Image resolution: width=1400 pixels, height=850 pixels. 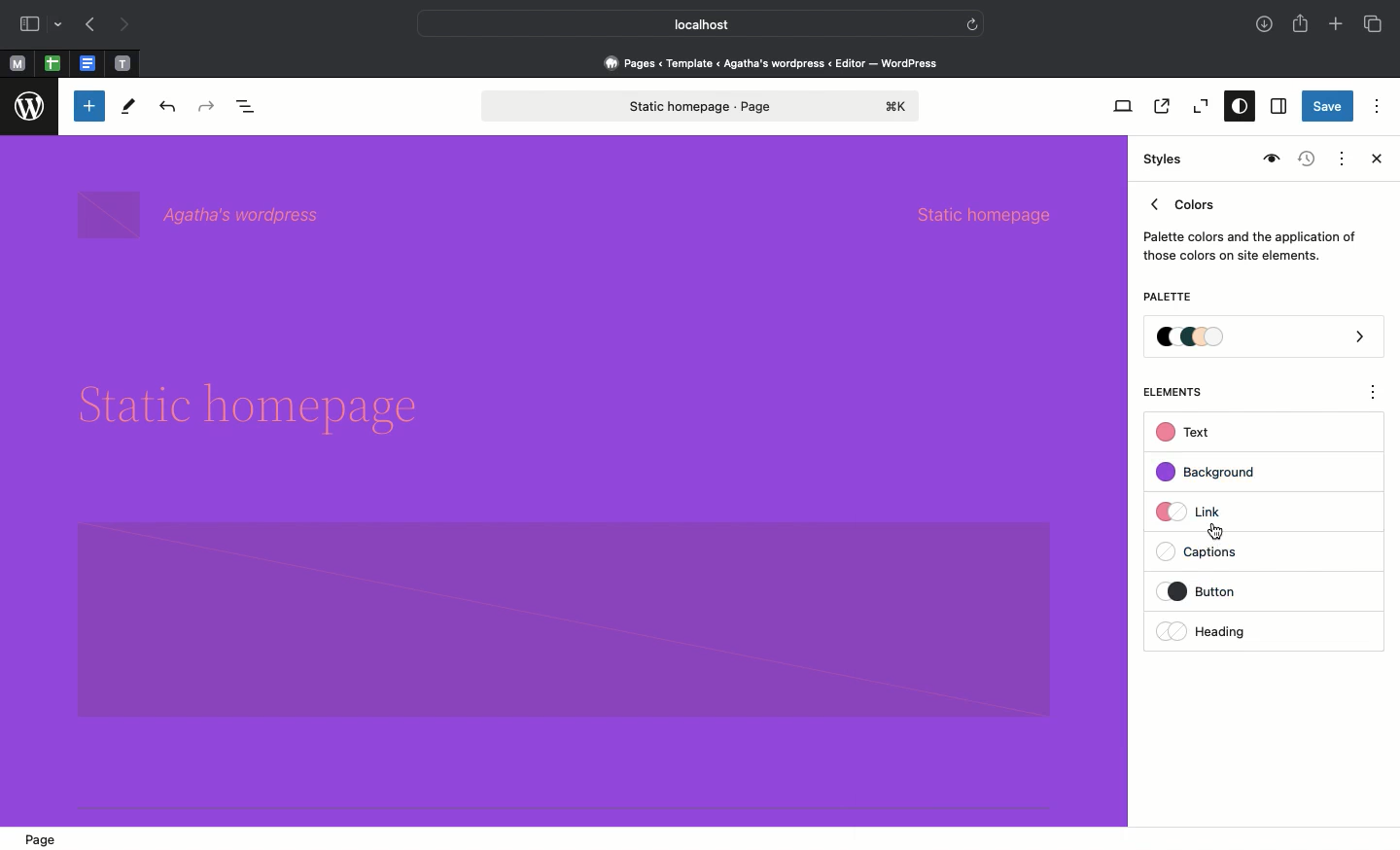 What do you see at coordinates (1160, 106) in the screenshot?
I see `View page` at bounding box center [1160, 106].